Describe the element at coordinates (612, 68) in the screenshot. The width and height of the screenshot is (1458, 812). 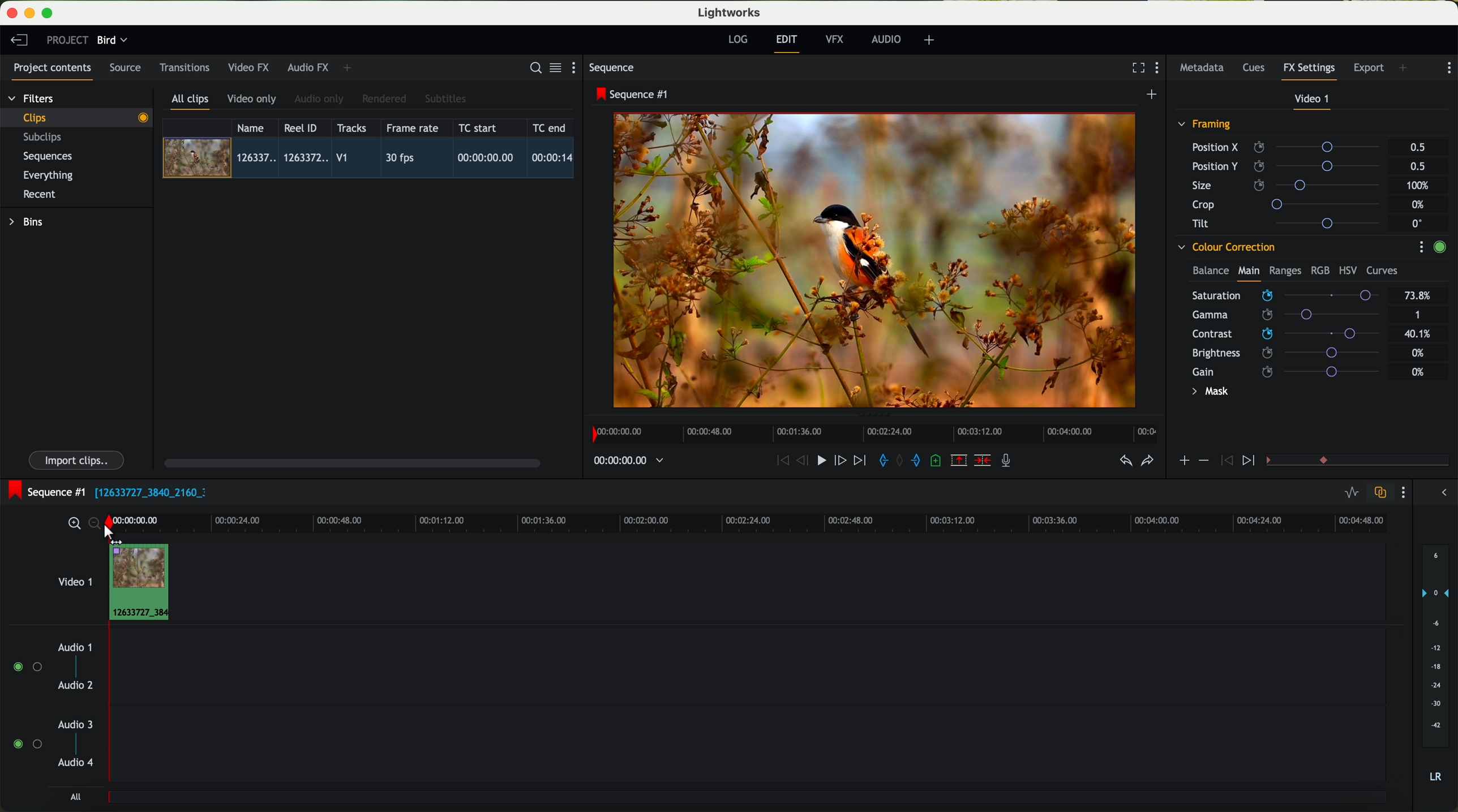
I see `sequence` at that location.